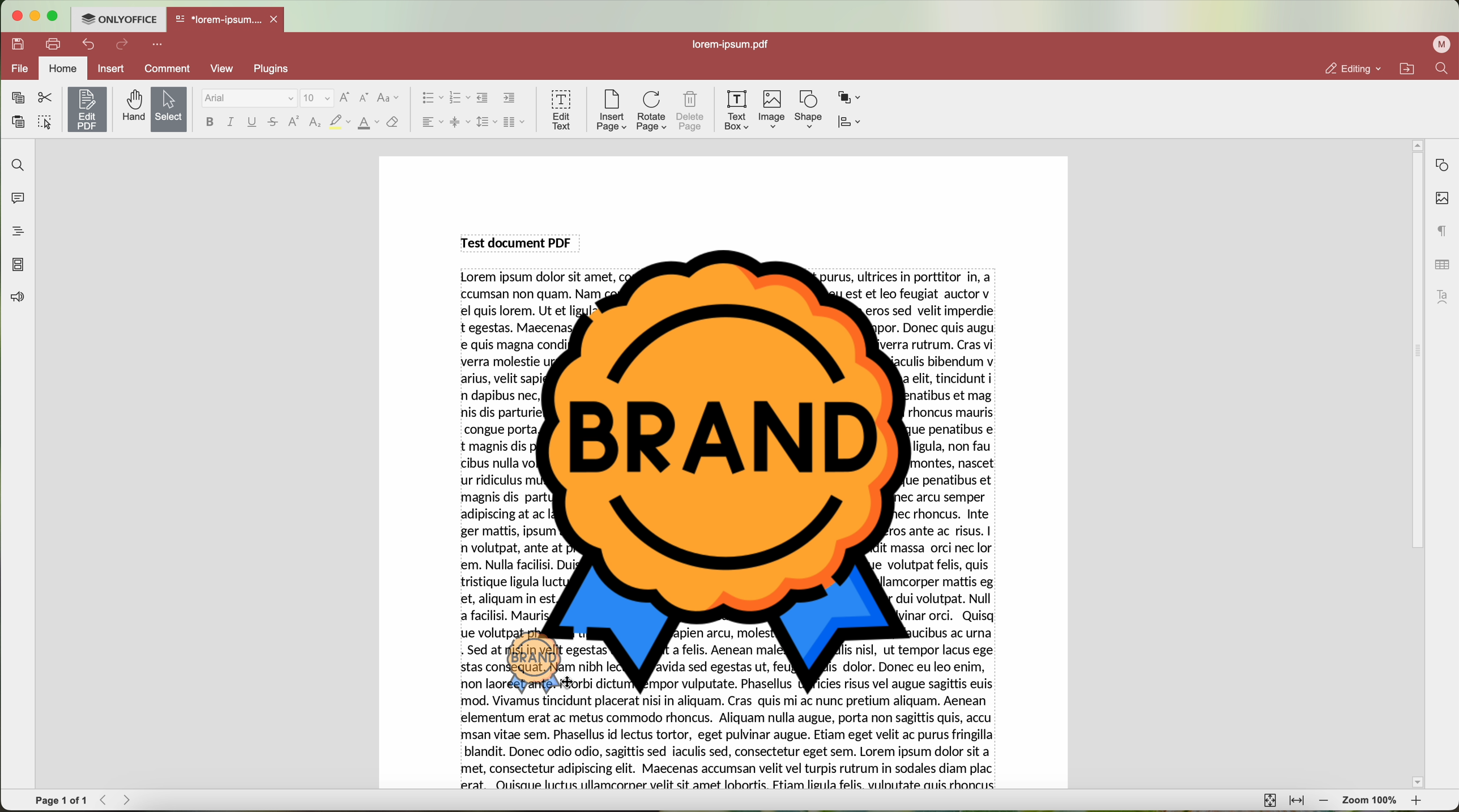 This screenshot has height=812, width=1459. What do you see at coordinates (317, 99) in the screenshot?
I see `size font` at bounding box center [317, 99].